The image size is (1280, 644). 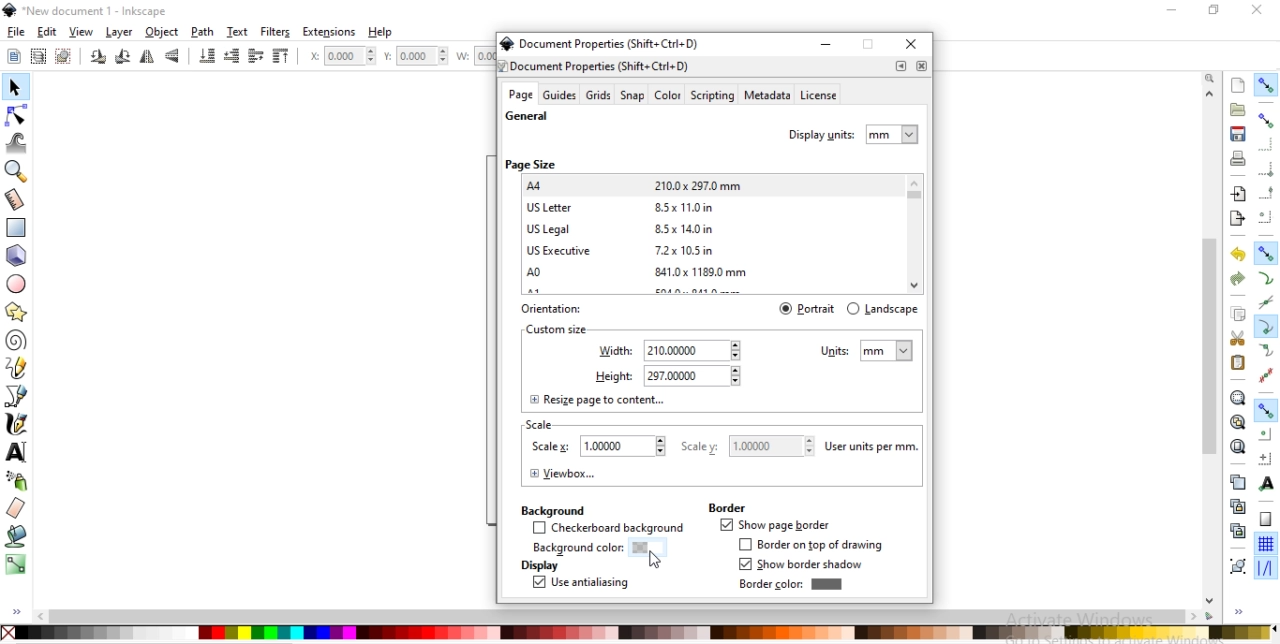 I want to click on width, so click(x=670, y=349).